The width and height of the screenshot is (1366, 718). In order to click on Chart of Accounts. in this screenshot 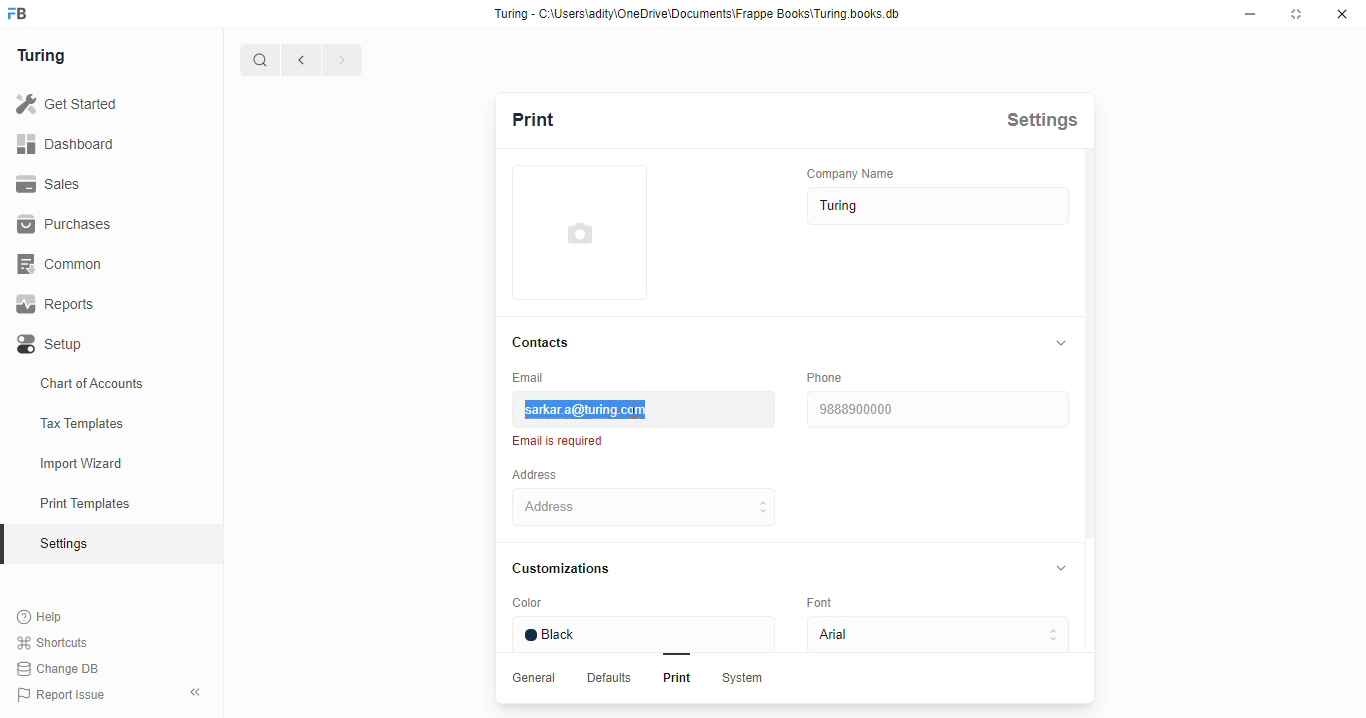, I will do `click(109, 384)`.